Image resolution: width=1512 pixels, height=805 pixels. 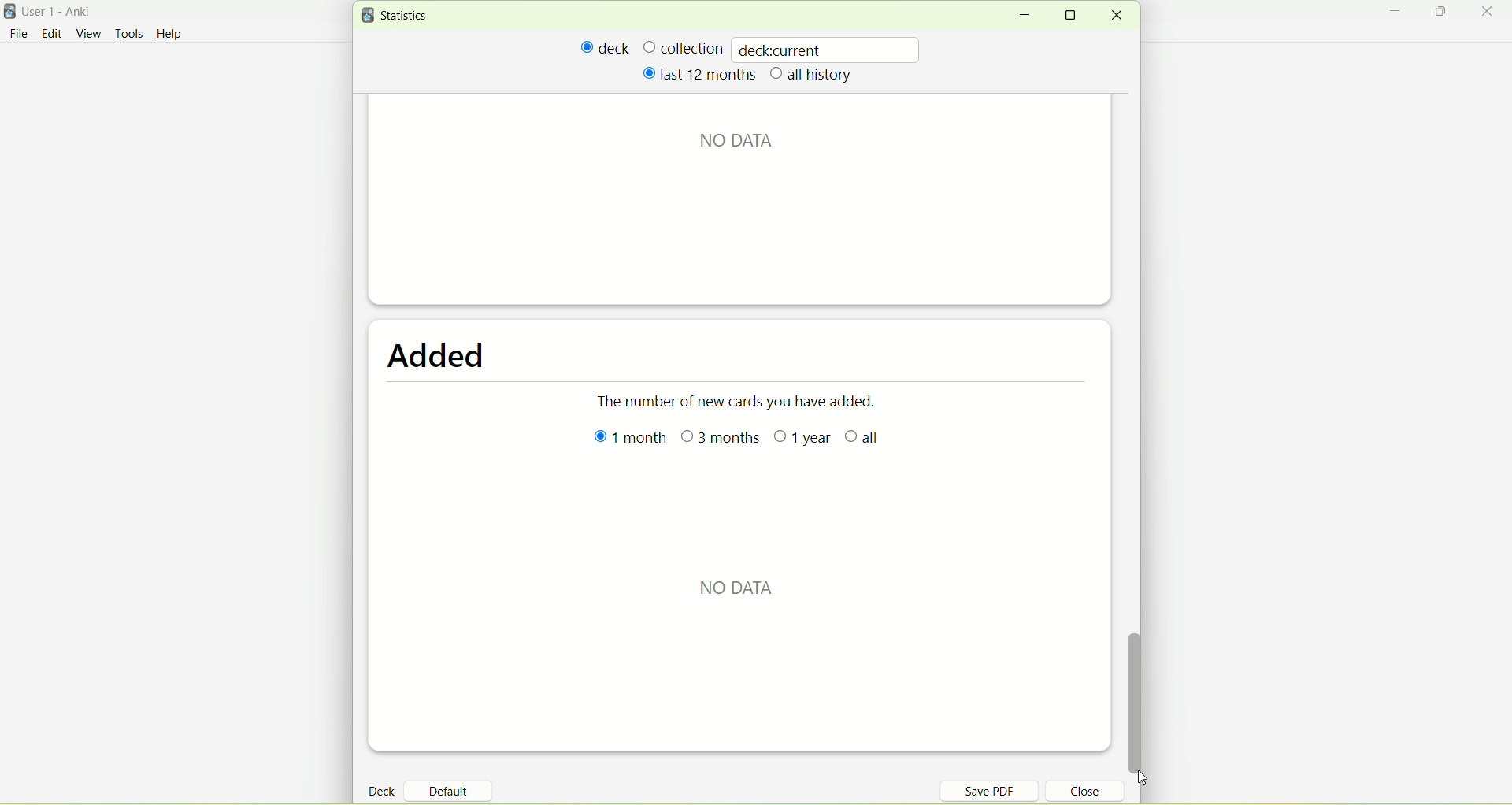 What do you see at coordinates (741, 408) in the screenshot?
I see `the number of new cards you have added` at bounding box center [741, 408].